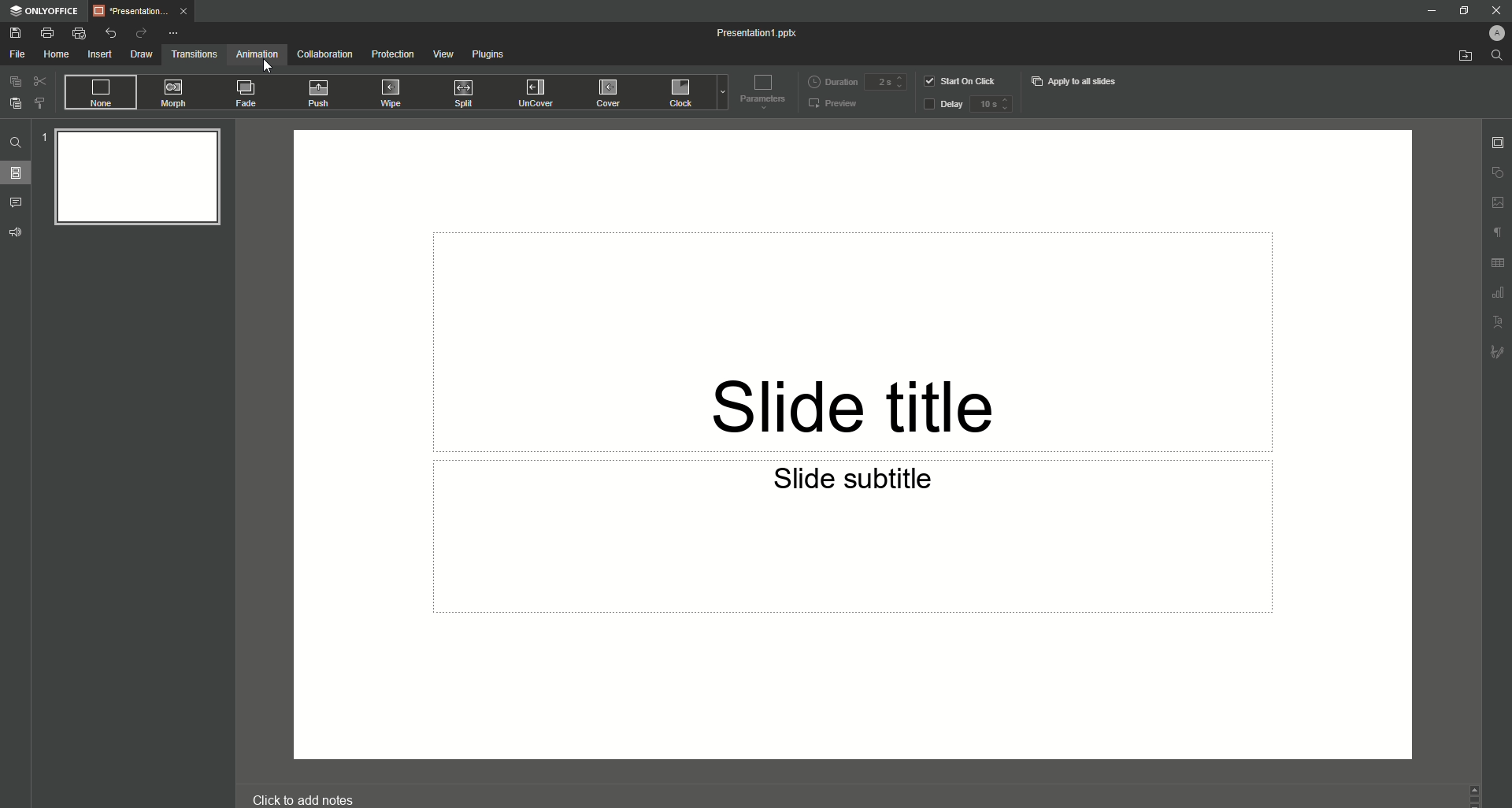  What do you see at coordinates (758, 32) in the screenshot?
I see `Presentation1.pptx` at bounding box center [758, 32].